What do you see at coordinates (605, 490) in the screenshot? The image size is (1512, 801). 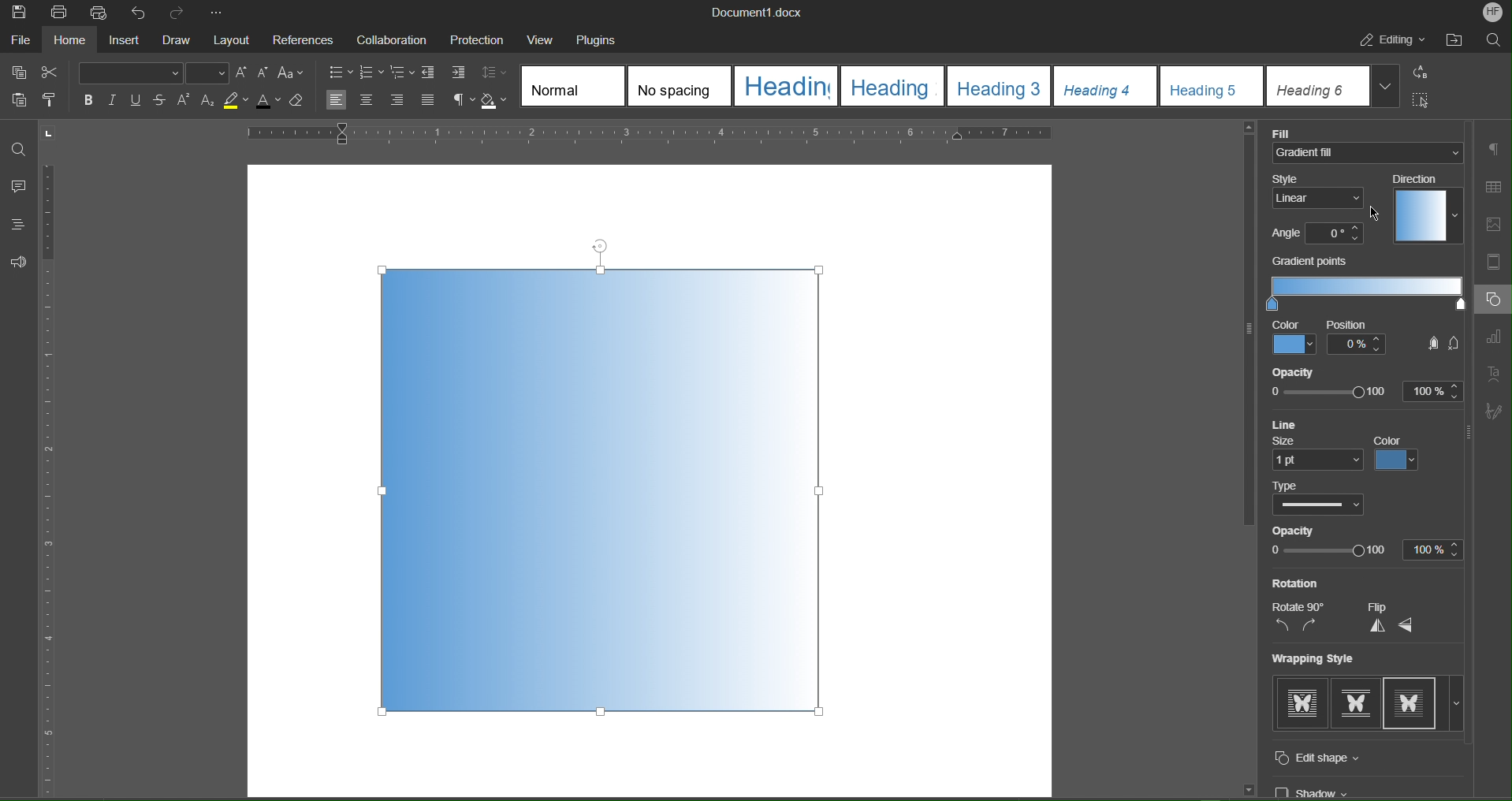 I see `Shape (Gradient Fill)` at bounding box center [605, 490].